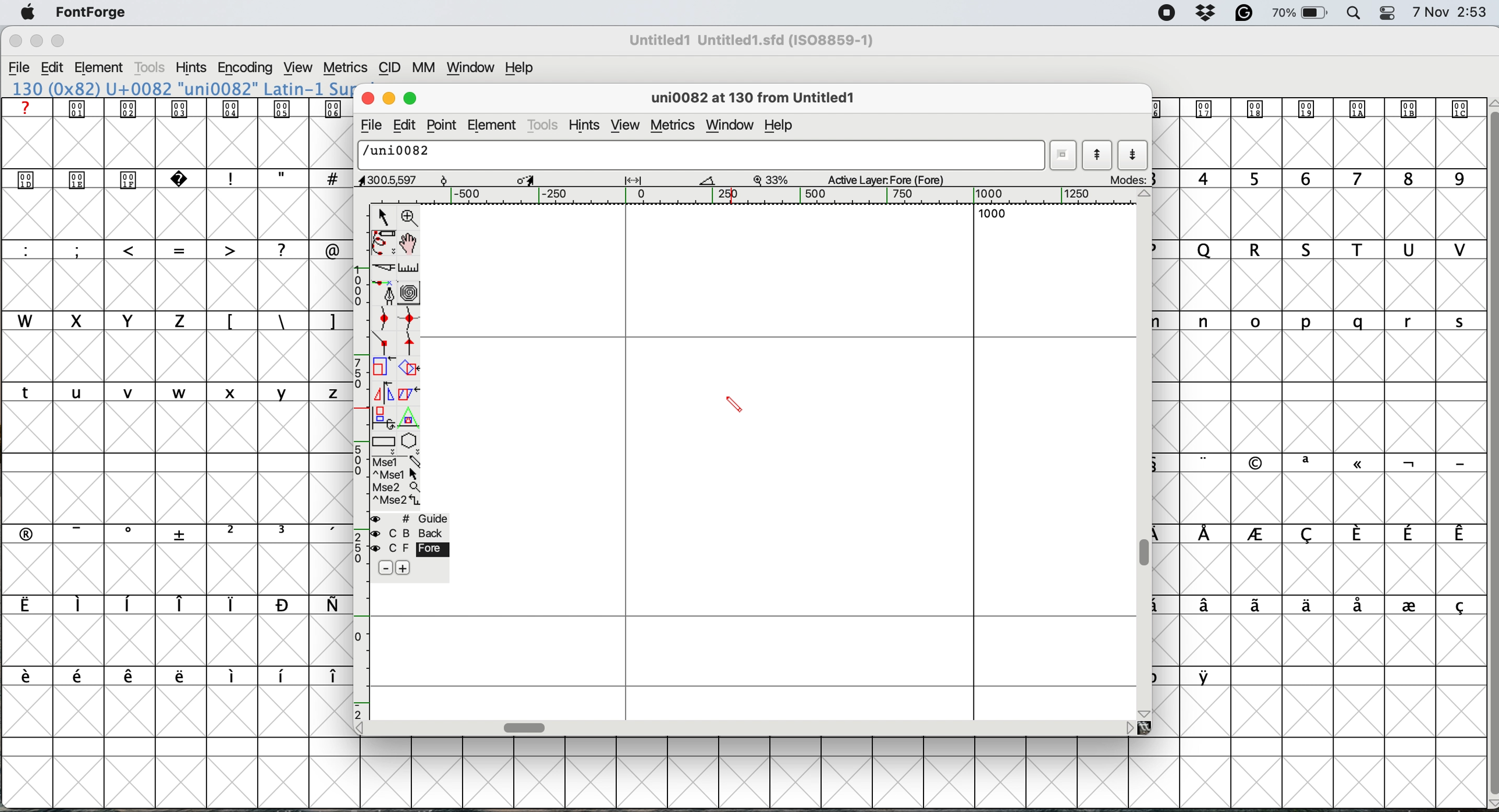  I want to click on lowercase letters, so click(171, 393).